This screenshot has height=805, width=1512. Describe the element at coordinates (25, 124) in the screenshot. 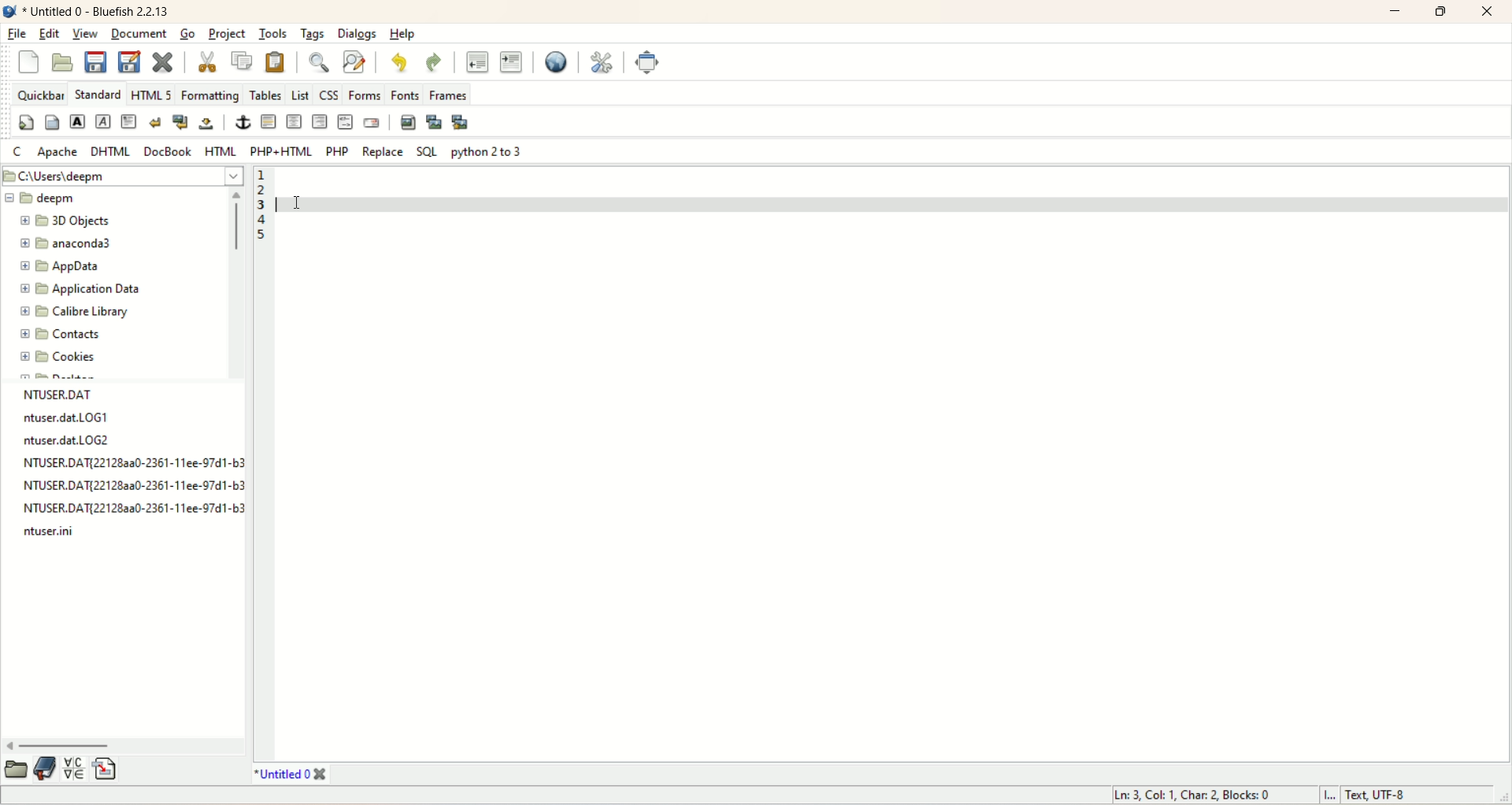

I see `quickstart` at that location.